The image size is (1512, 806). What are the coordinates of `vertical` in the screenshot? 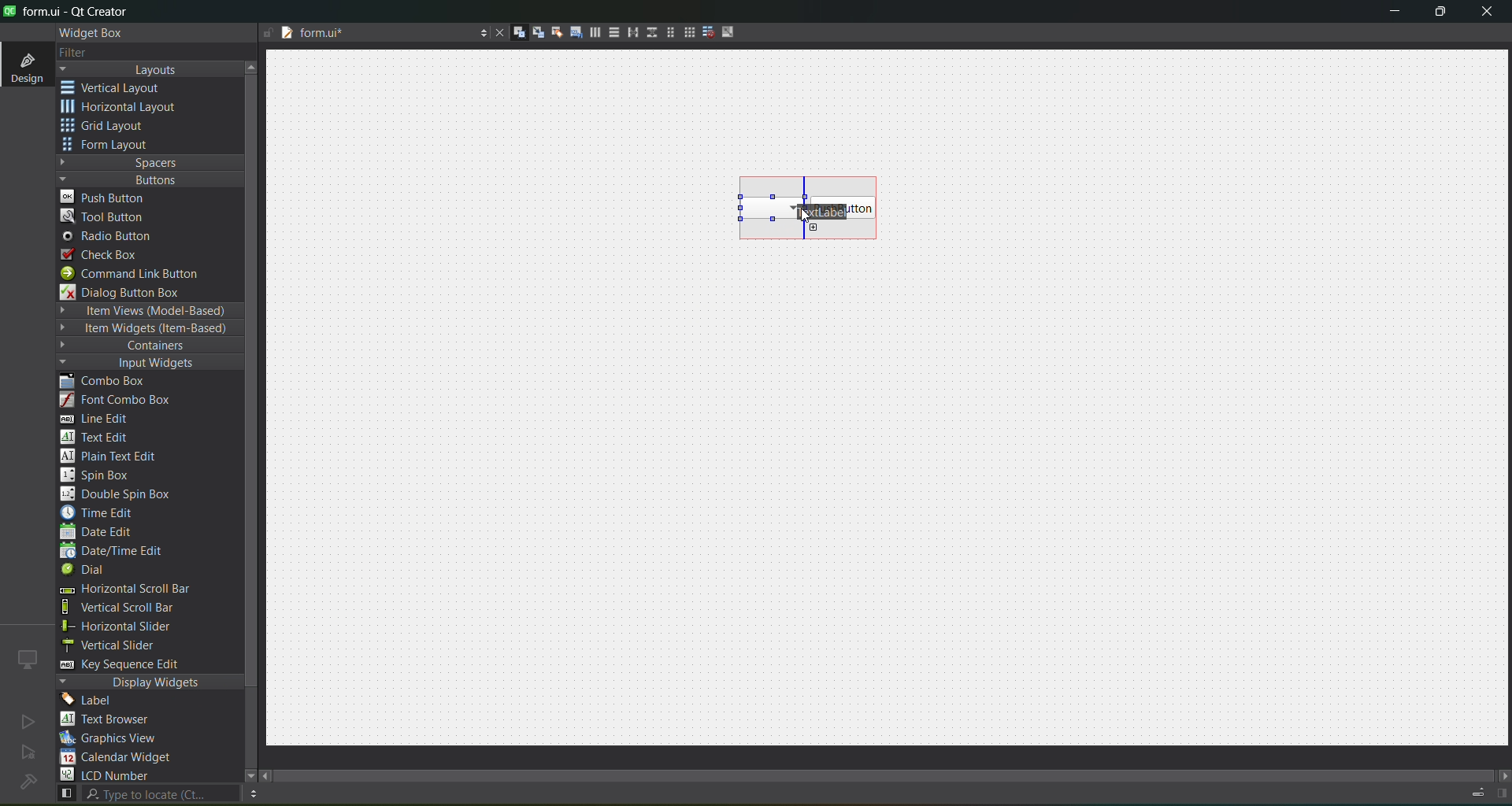 It's located at (122, 88).